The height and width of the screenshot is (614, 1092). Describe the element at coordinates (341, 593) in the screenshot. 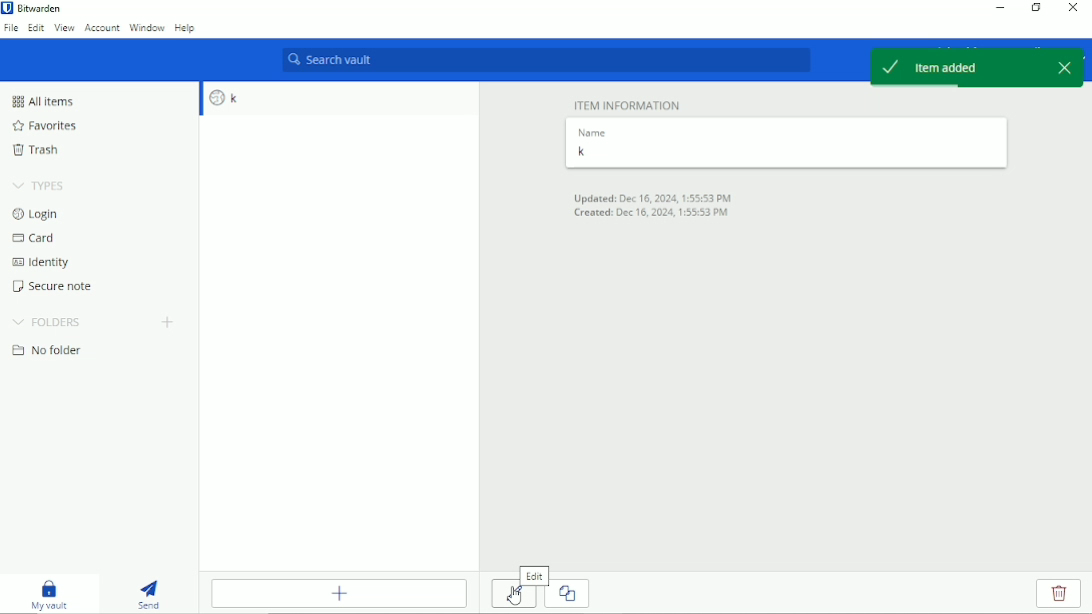

I see `Add item` at that location.